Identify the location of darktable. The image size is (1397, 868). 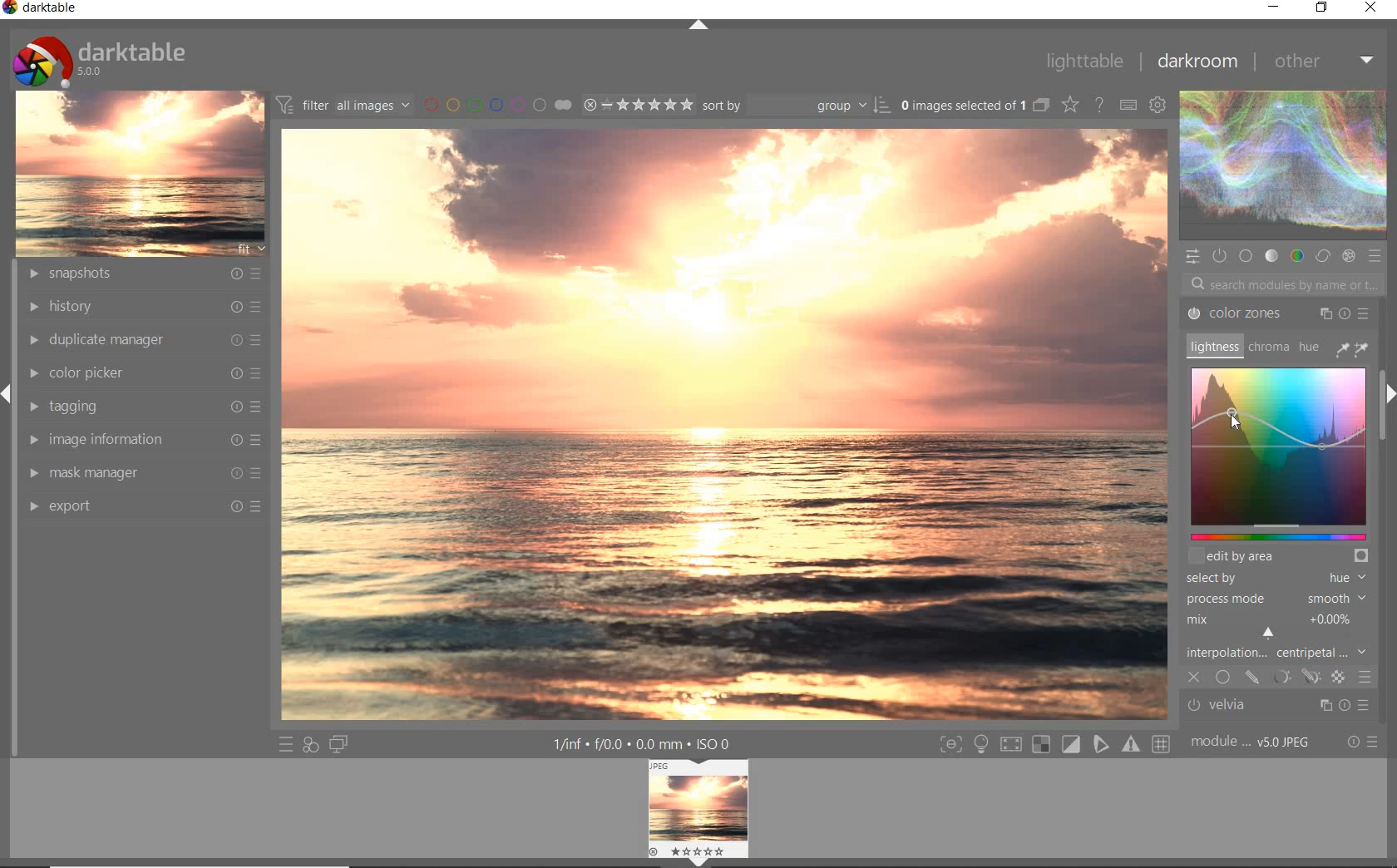
(42, 9).